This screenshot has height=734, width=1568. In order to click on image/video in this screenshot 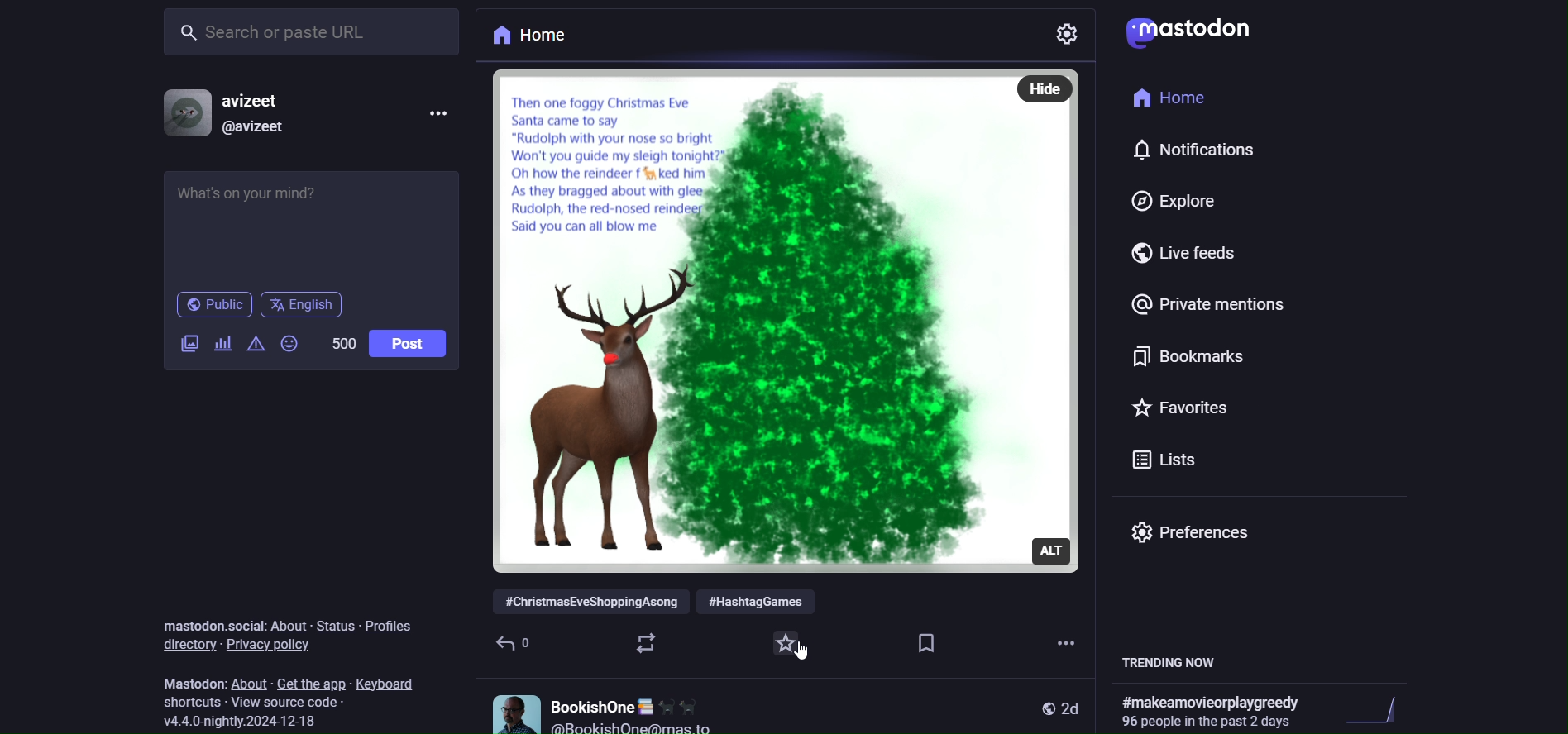, I will do `click(185, 345)`.